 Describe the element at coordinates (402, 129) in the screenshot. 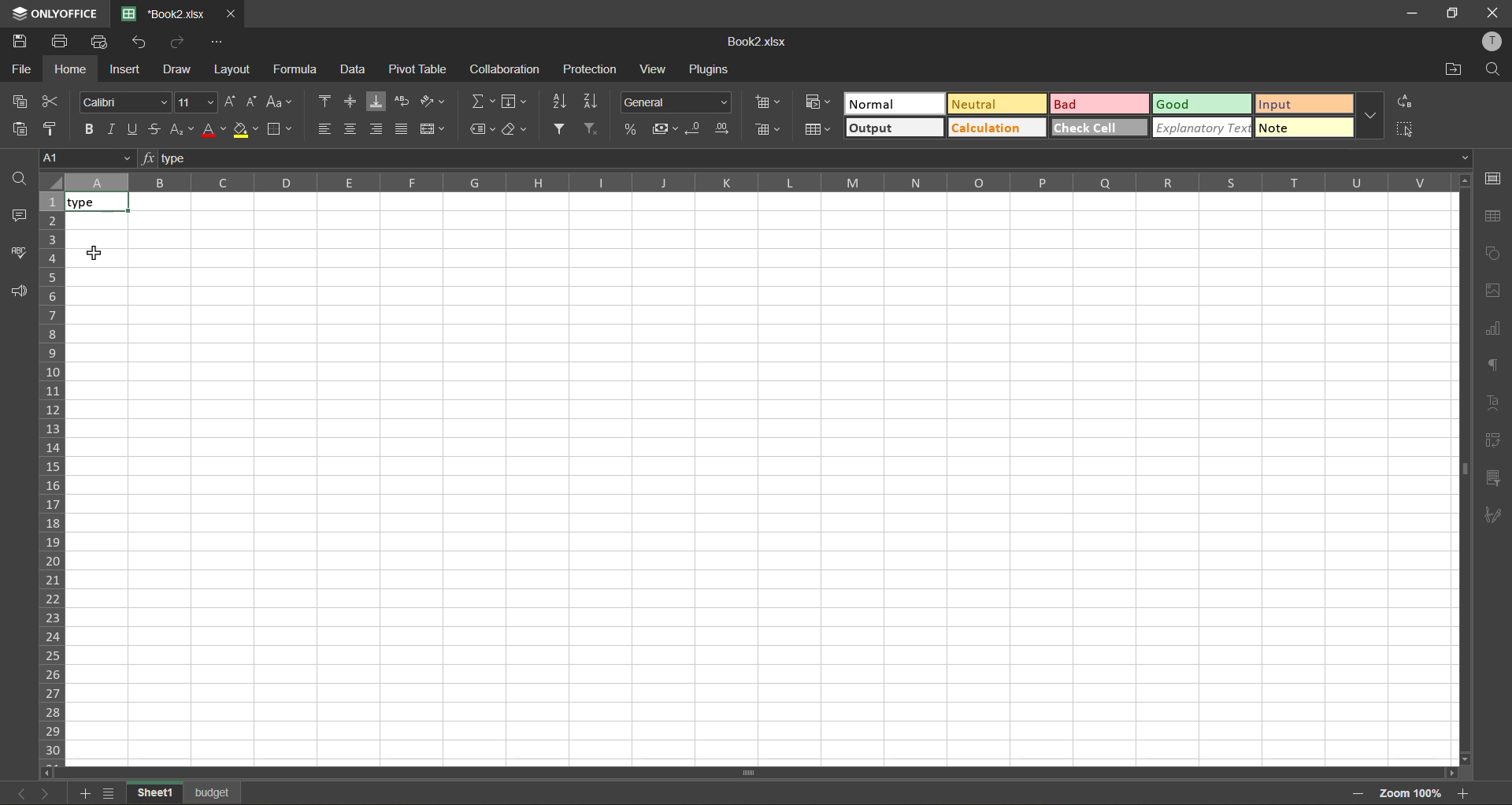

I see `justified` at that location.